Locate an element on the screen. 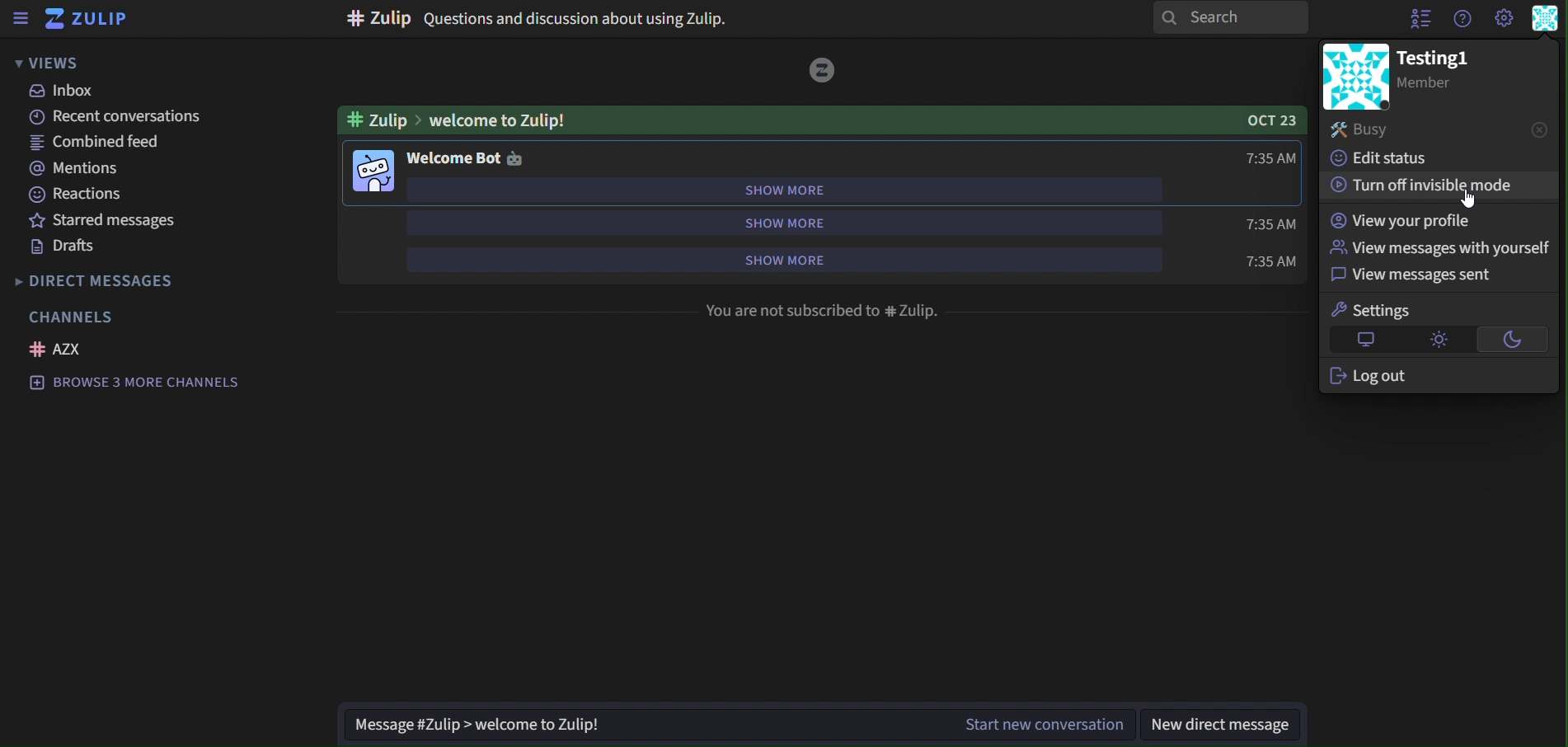 The height and width of the screenshot is (747, 1568). view your profile is located at coordinates (1404, 221).